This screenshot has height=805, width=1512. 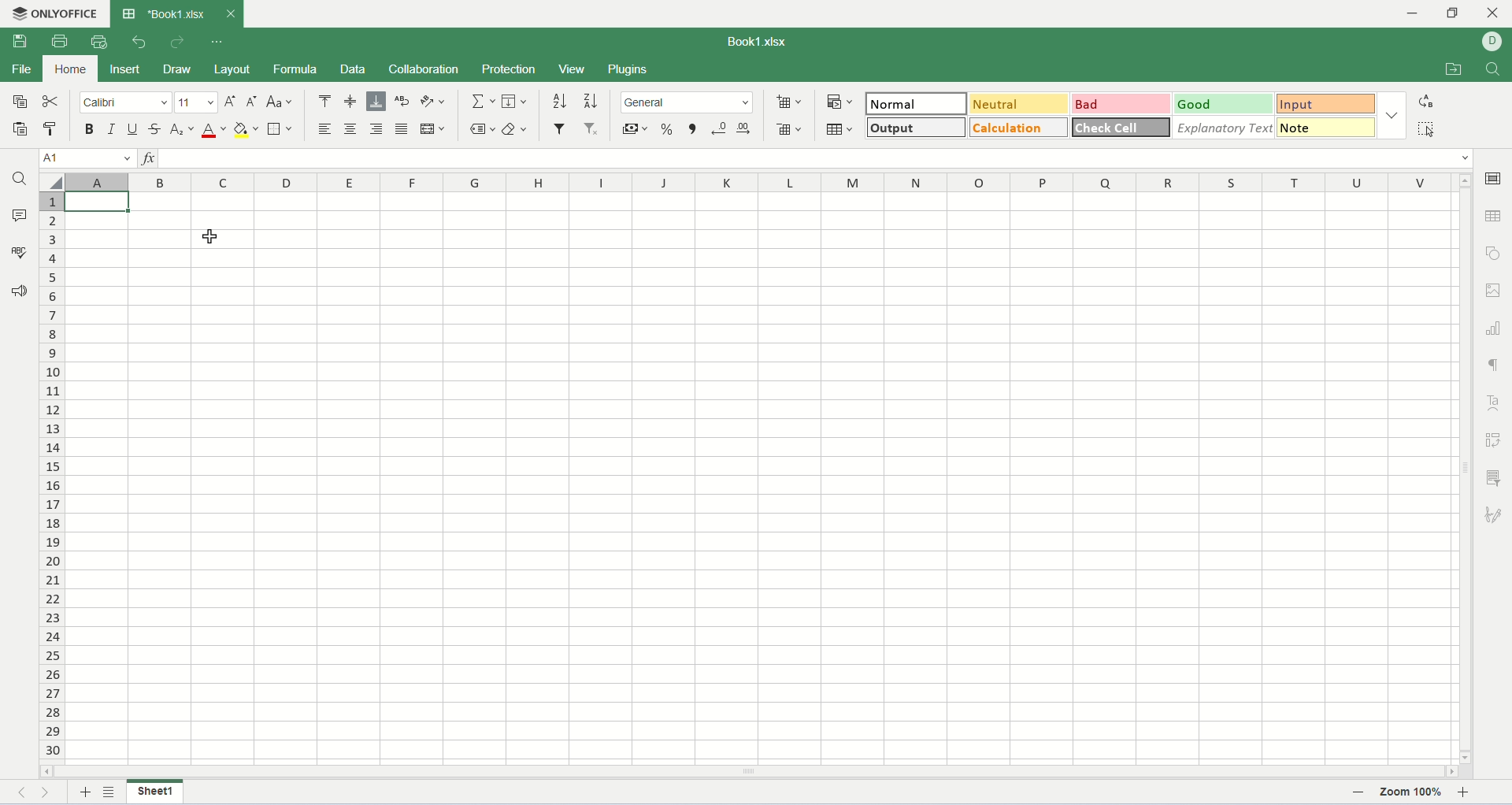 I want to click on font size, so click(x=197, y=102).